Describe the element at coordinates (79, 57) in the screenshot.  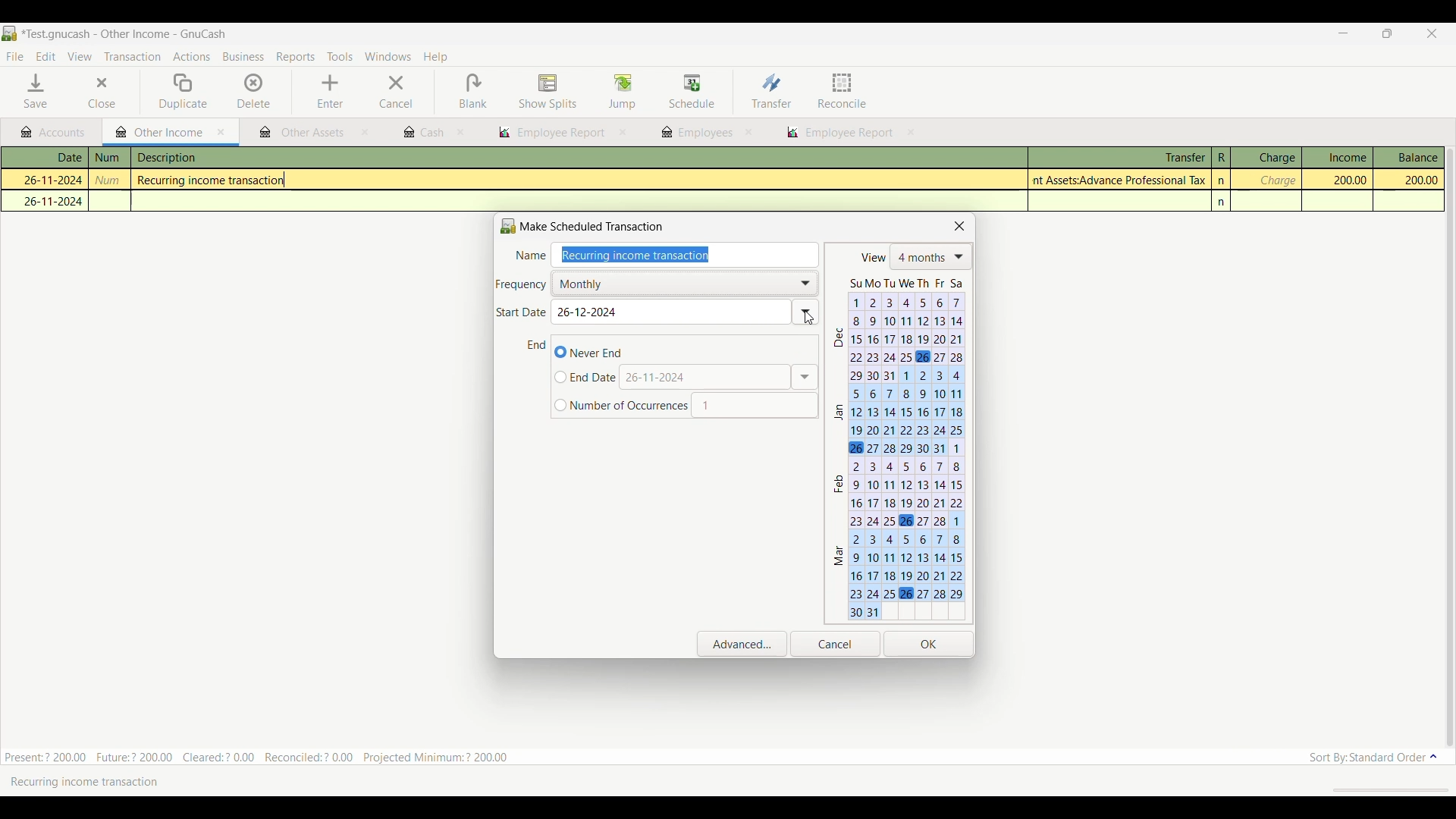
I see `View menu` at that location.